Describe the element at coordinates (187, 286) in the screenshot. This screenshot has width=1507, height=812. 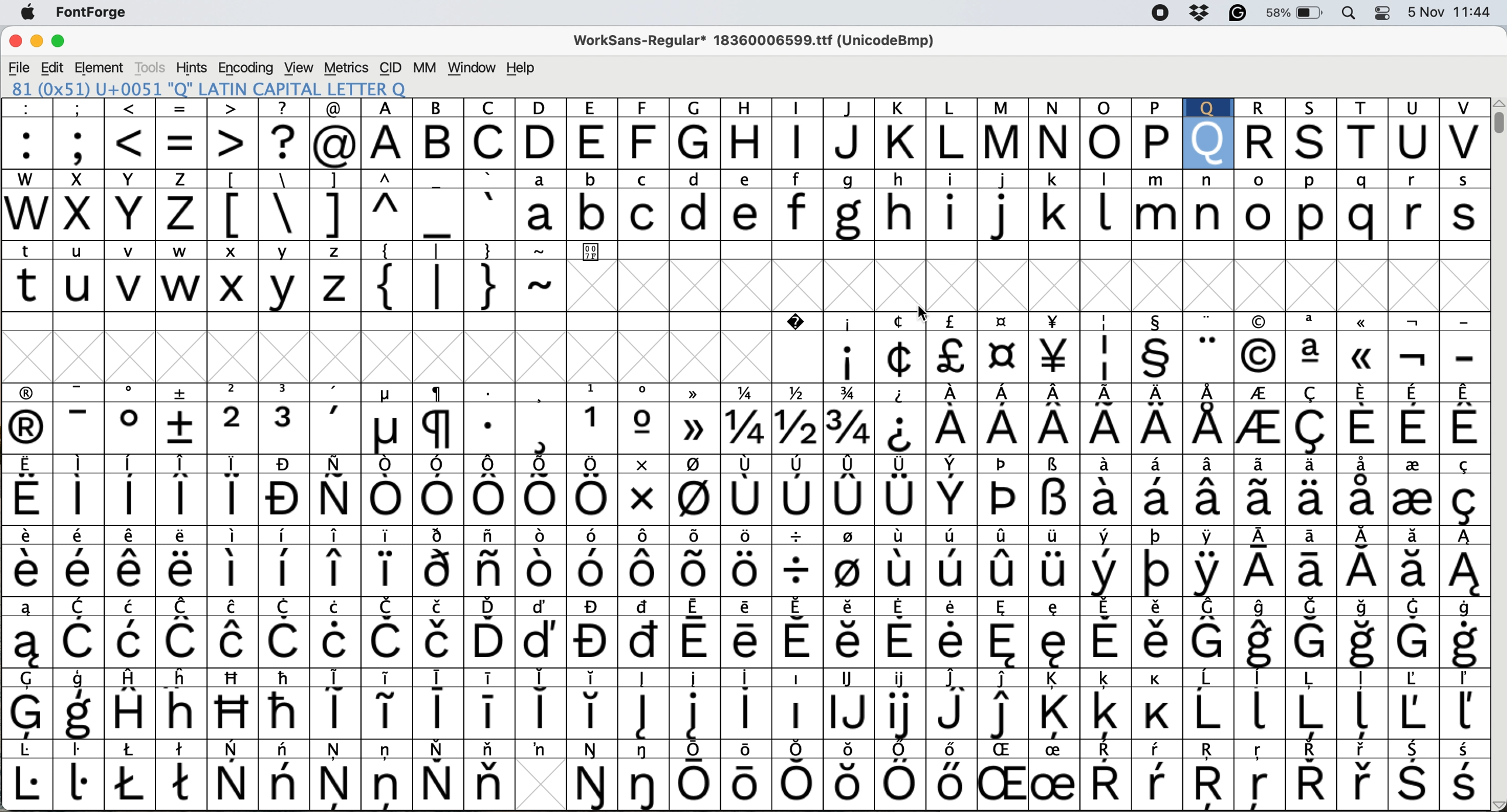
I see `lowercase letters` at that location.